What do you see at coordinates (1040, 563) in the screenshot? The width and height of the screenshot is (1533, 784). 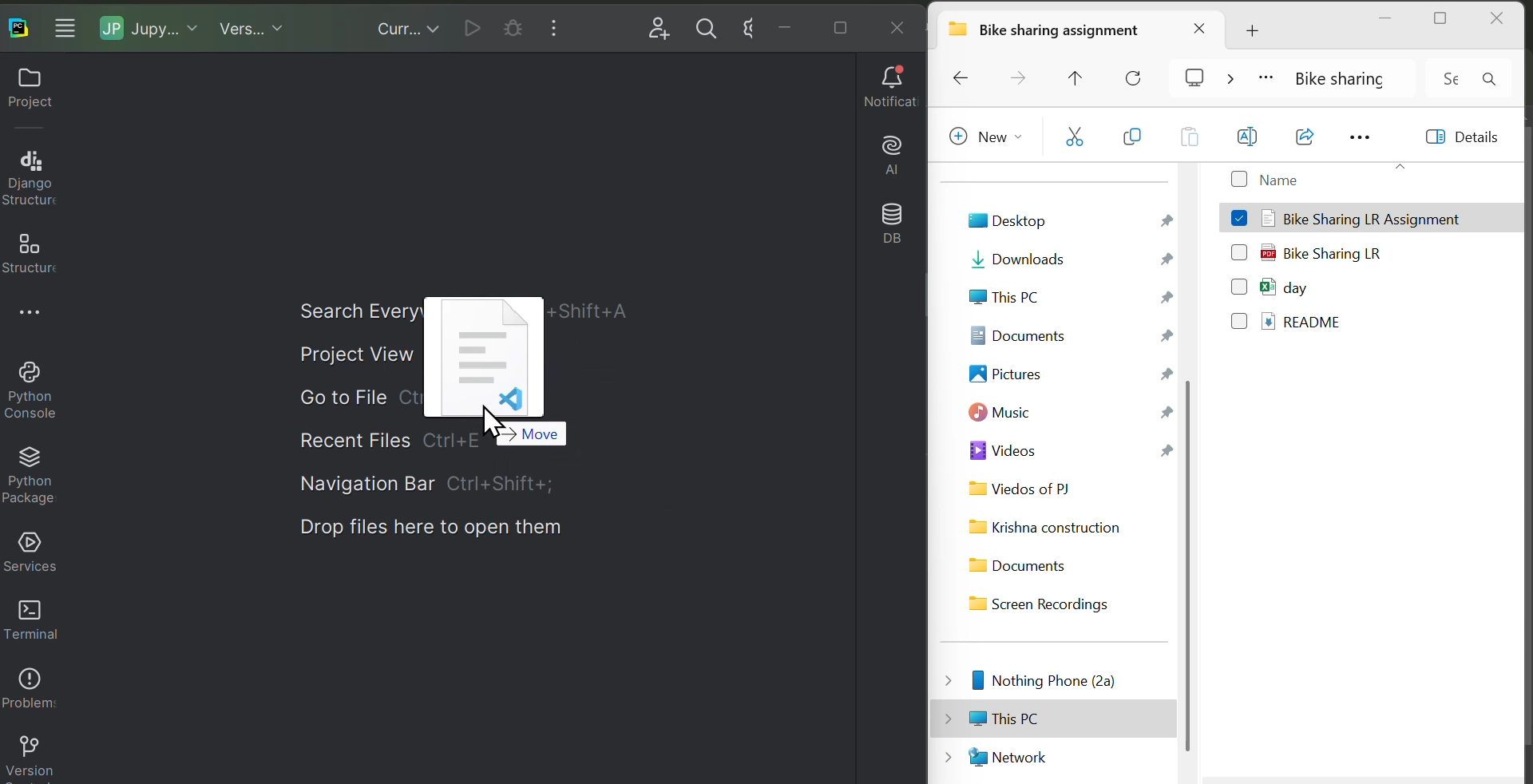 I see `Documents` at bounding box center [1040, 563].